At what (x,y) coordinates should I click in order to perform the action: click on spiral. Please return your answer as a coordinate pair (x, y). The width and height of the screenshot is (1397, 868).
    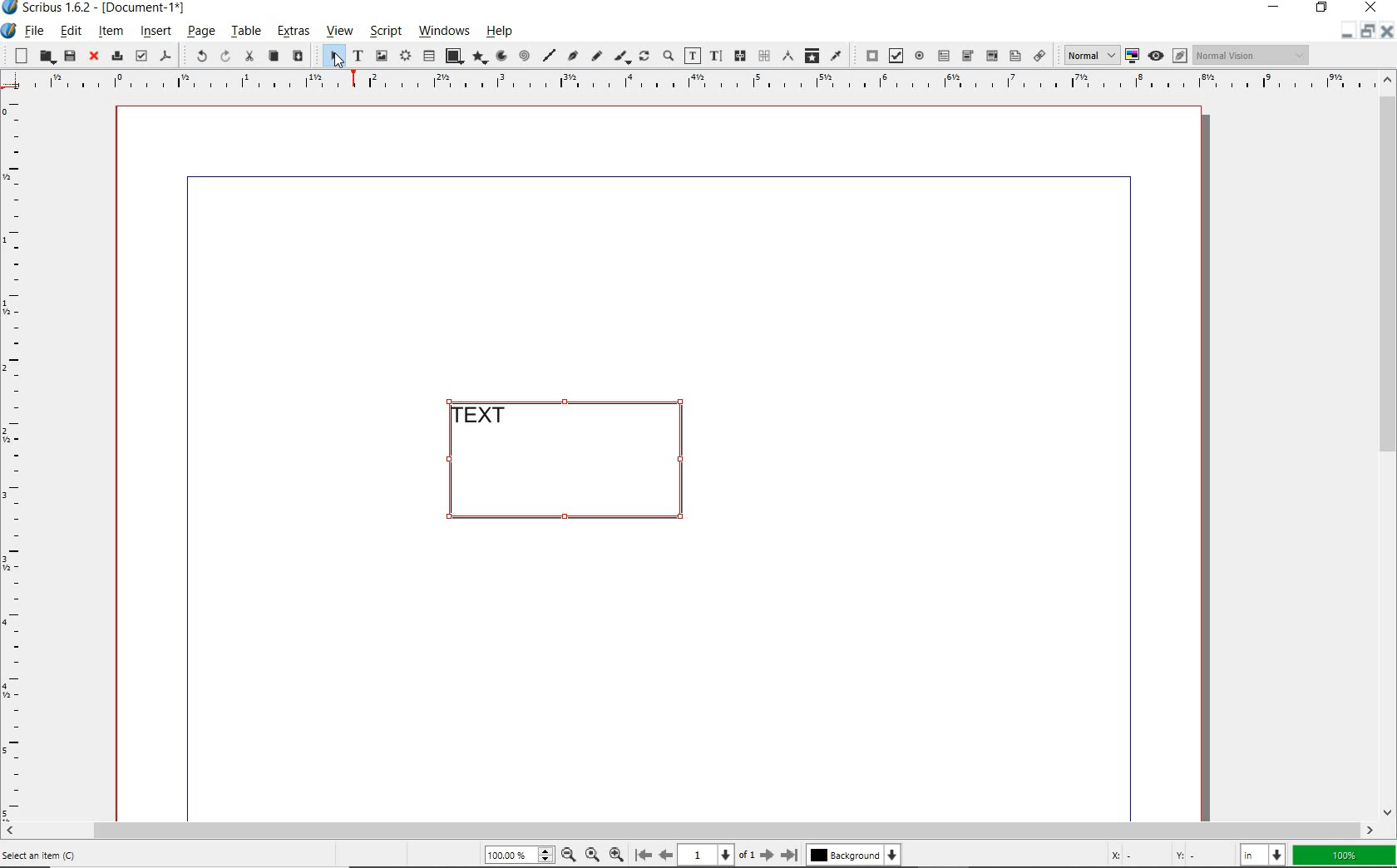
    Looking at the image, I should click on (525, 55).